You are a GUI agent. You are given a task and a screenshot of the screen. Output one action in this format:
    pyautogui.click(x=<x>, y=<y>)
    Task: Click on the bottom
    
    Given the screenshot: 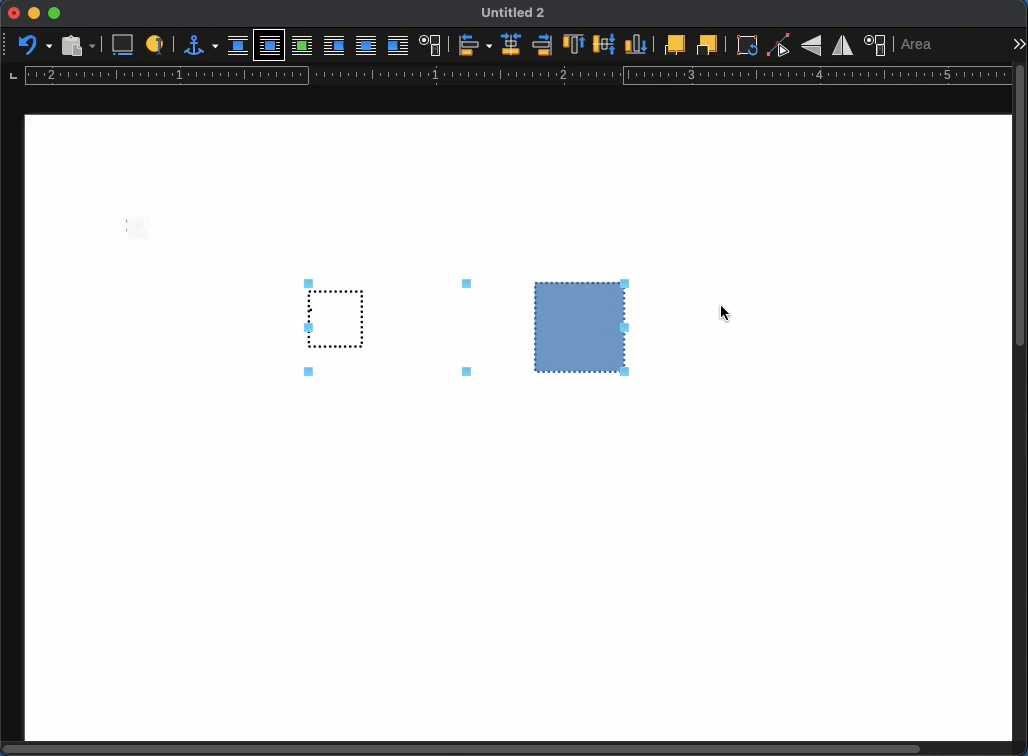 What is the action you would take?
    pyautogui.click(x=634, y=43)
    